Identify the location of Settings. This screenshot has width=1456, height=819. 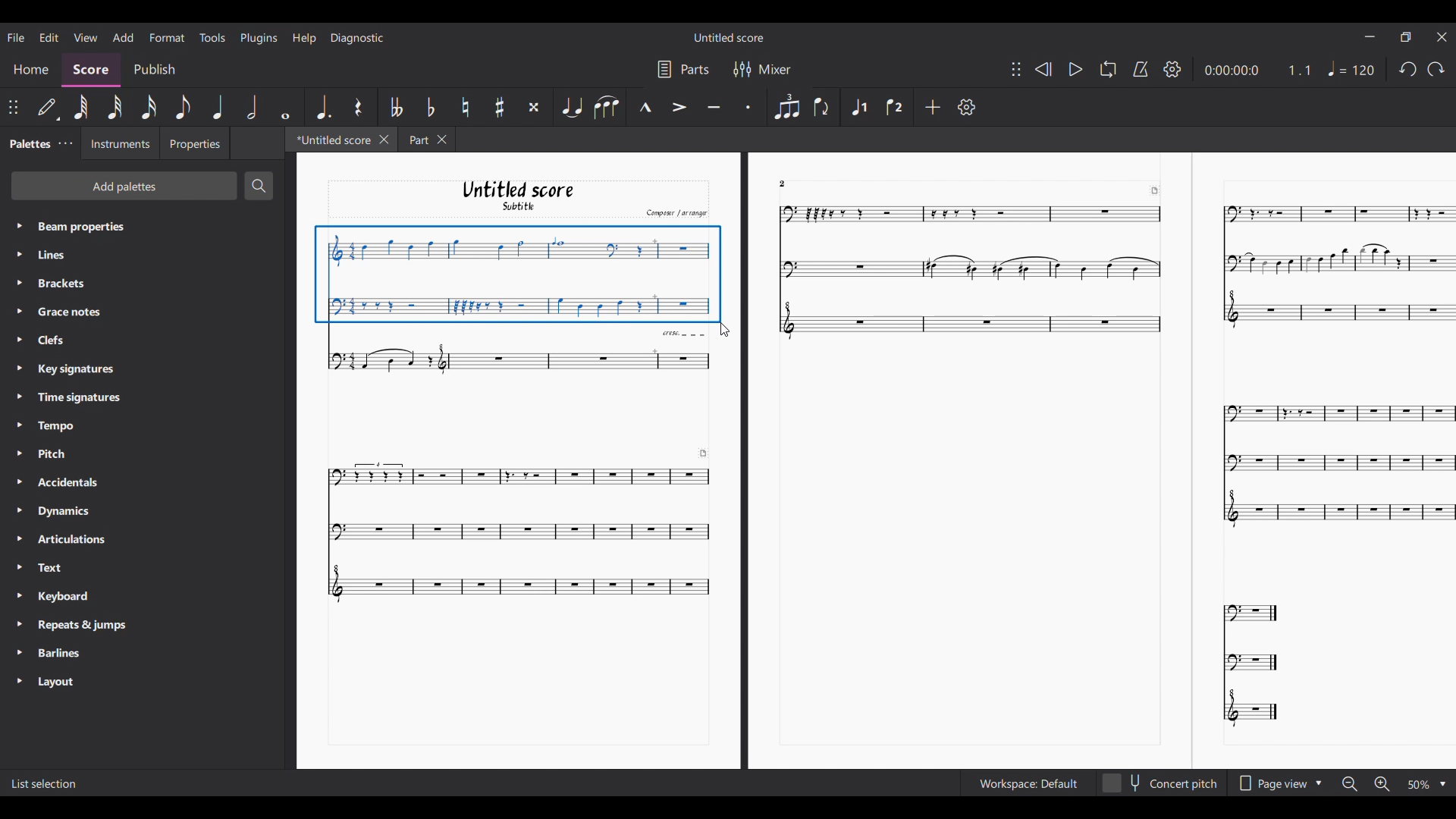
(966, 107).